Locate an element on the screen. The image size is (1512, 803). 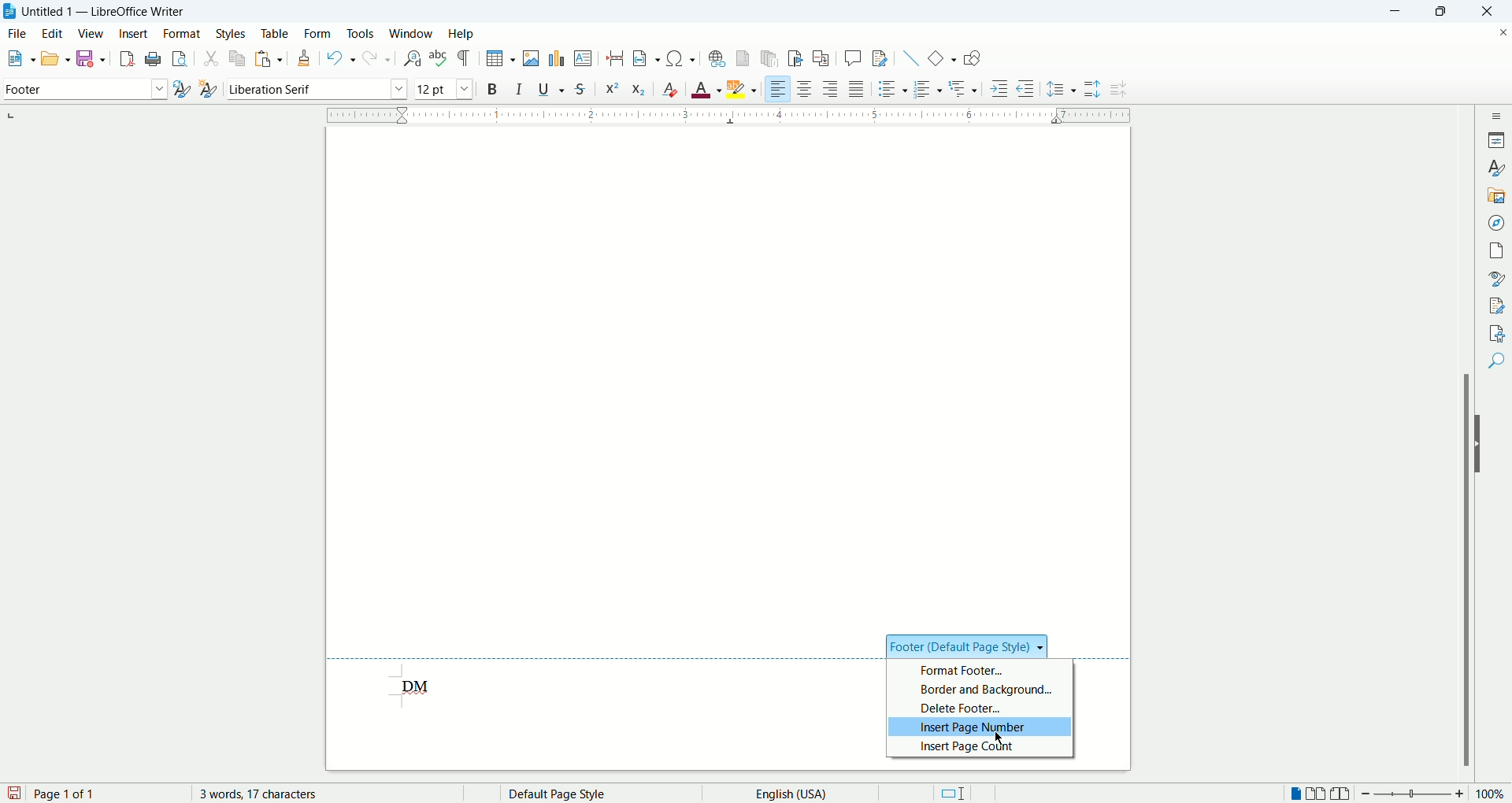
format is located at coordinates (181, 34).